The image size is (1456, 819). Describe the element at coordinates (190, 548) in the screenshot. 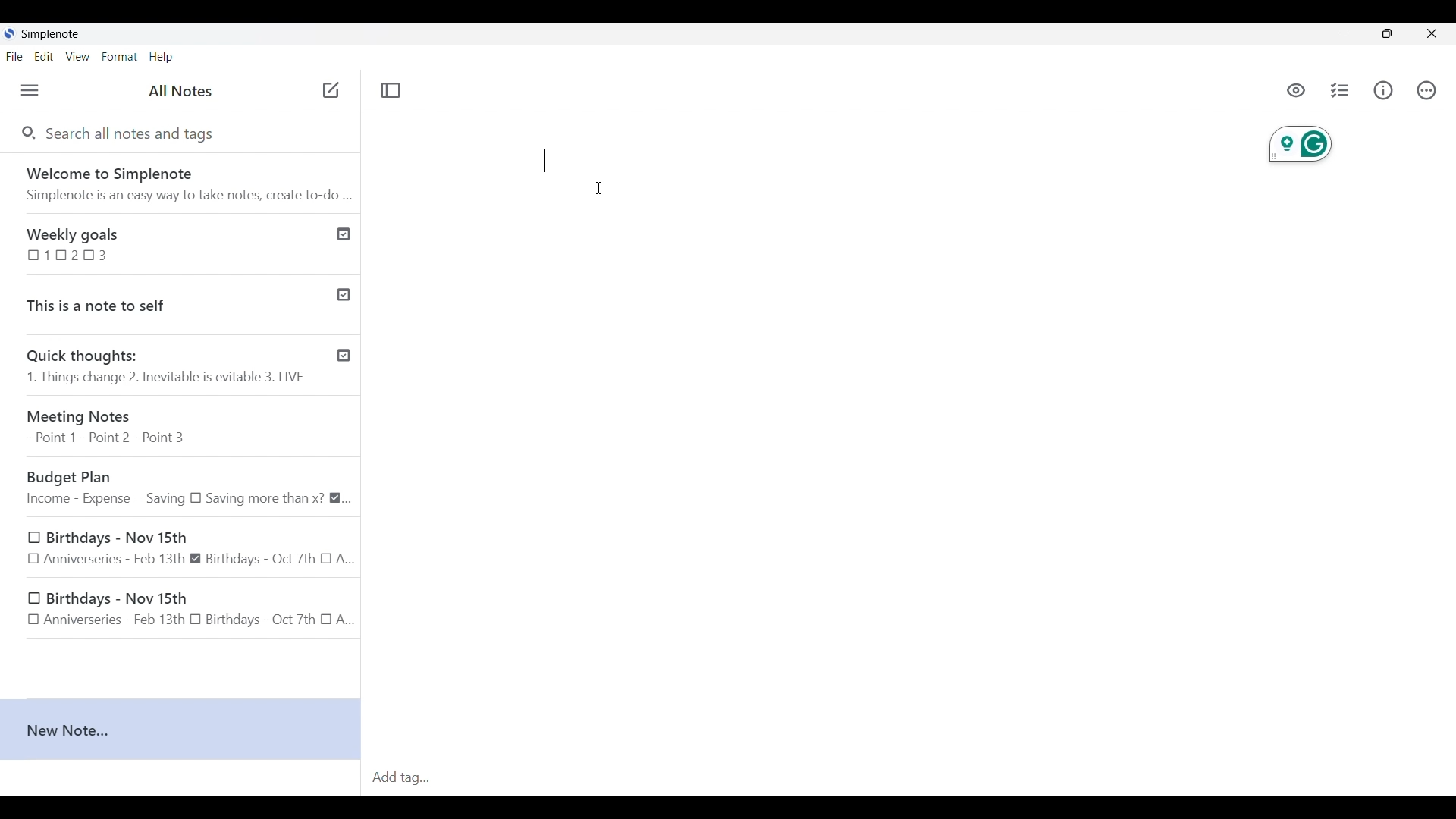

I see ` Birthdays - Nov 15th ` at that location.